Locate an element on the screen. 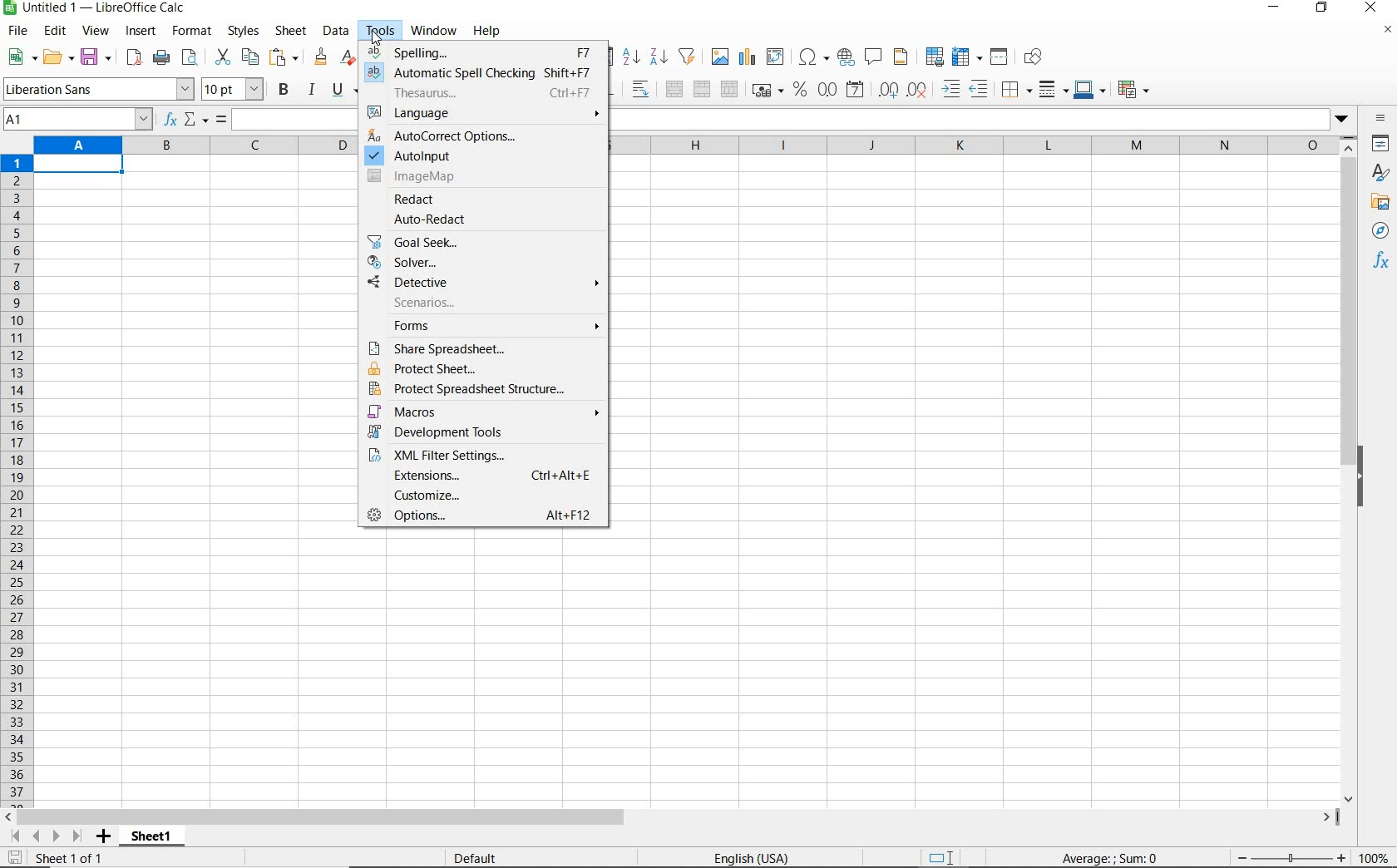  styles is located at coordinates (243, 30).